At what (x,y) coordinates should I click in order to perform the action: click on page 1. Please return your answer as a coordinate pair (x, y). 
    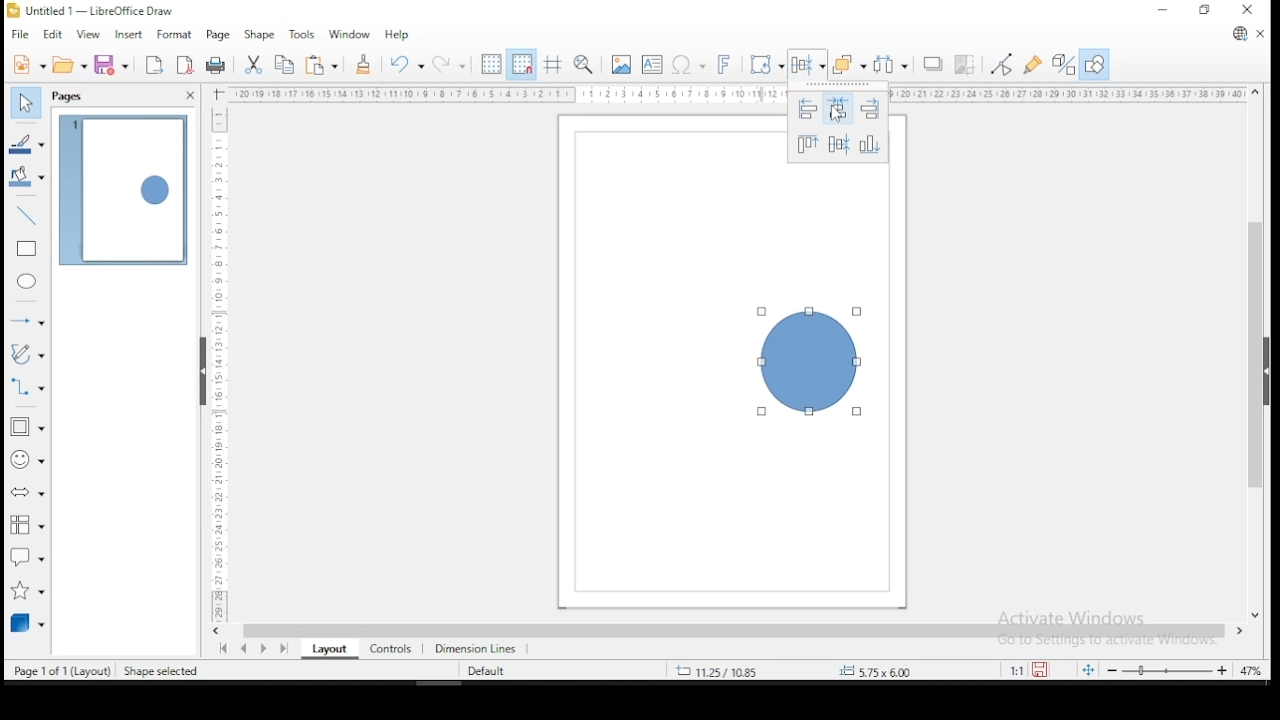
    Looking at the image, I should click on (124, 191).